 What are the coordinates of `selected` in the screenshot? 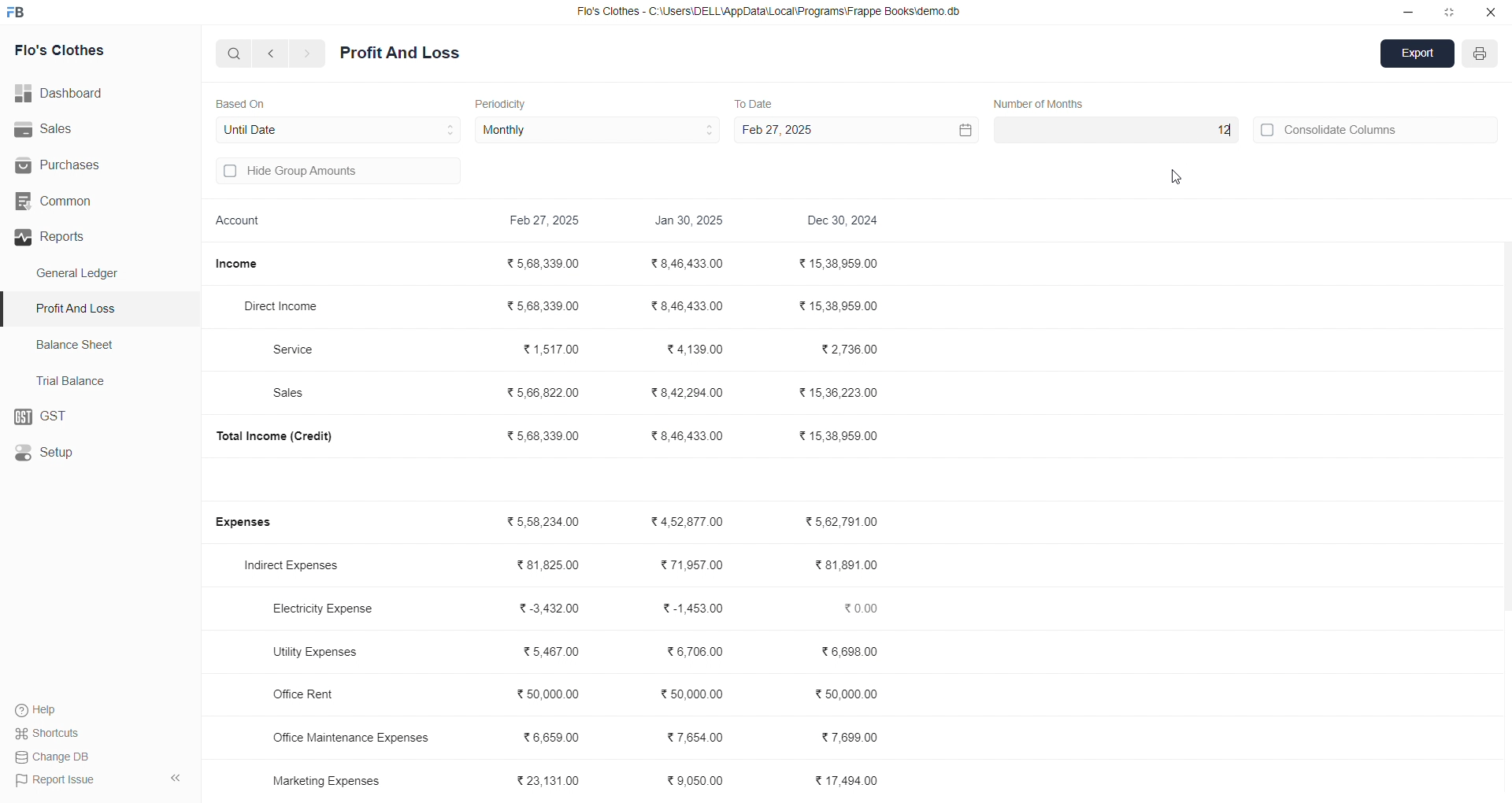 It's located at (9, 309).